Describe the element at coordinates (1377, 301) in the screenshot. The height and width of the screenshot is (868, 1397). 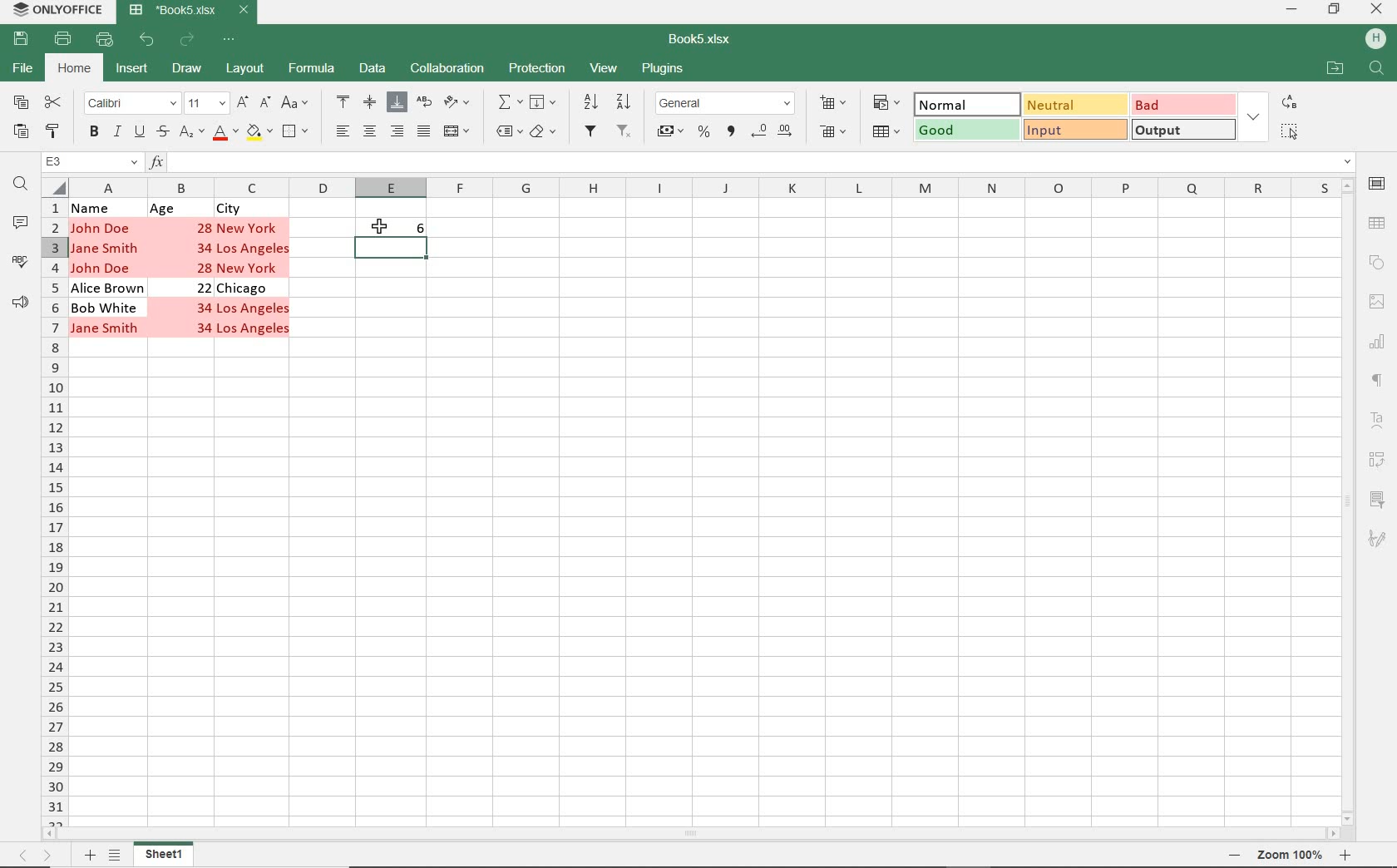
I see `IMAGE` at that location.